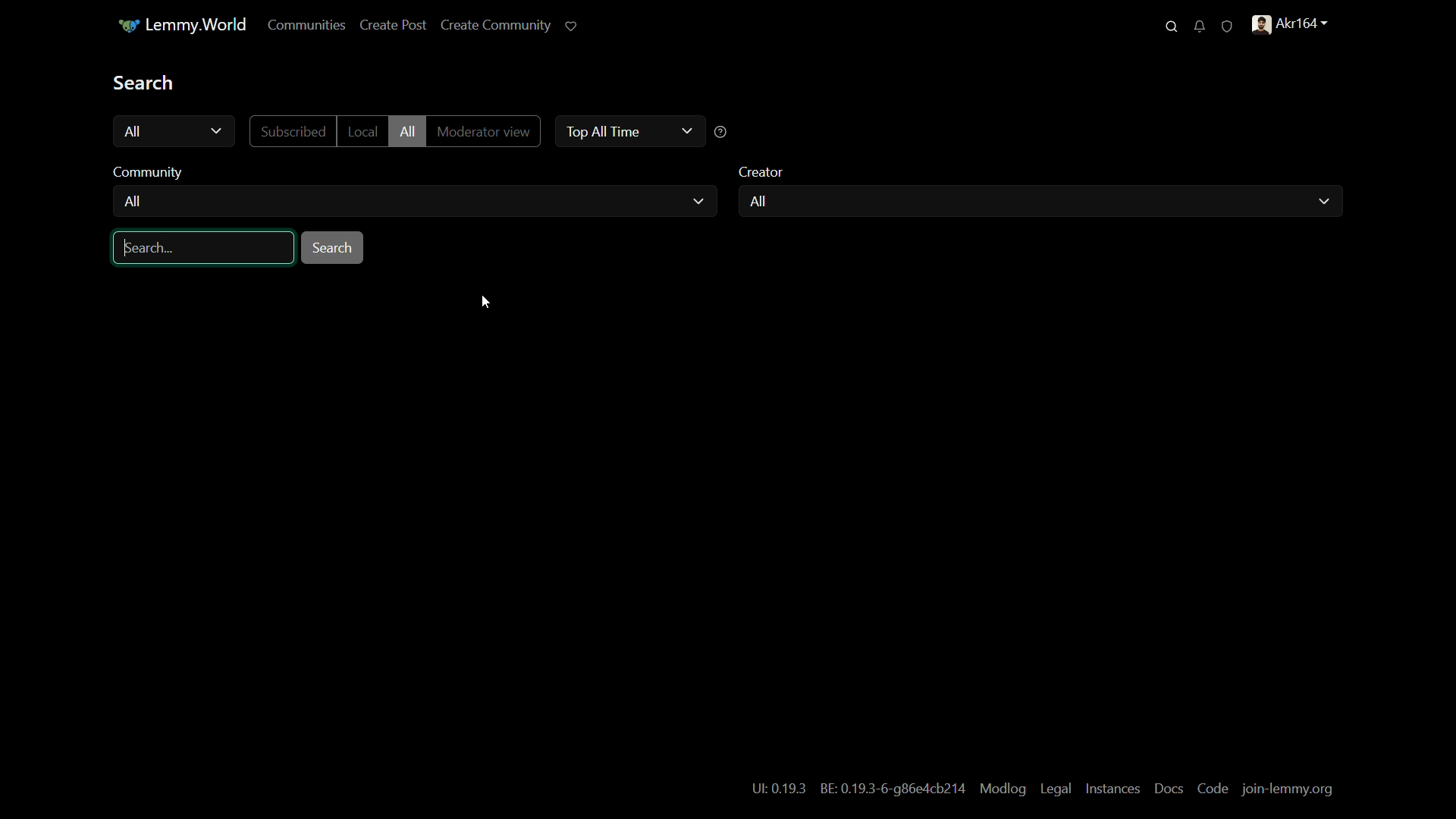 The width and height of the screenshot is (1456, 819). What do you see at coordinates (496, 24) in the screenshot?
I see `Create Community` at bounding box center [496, 24].